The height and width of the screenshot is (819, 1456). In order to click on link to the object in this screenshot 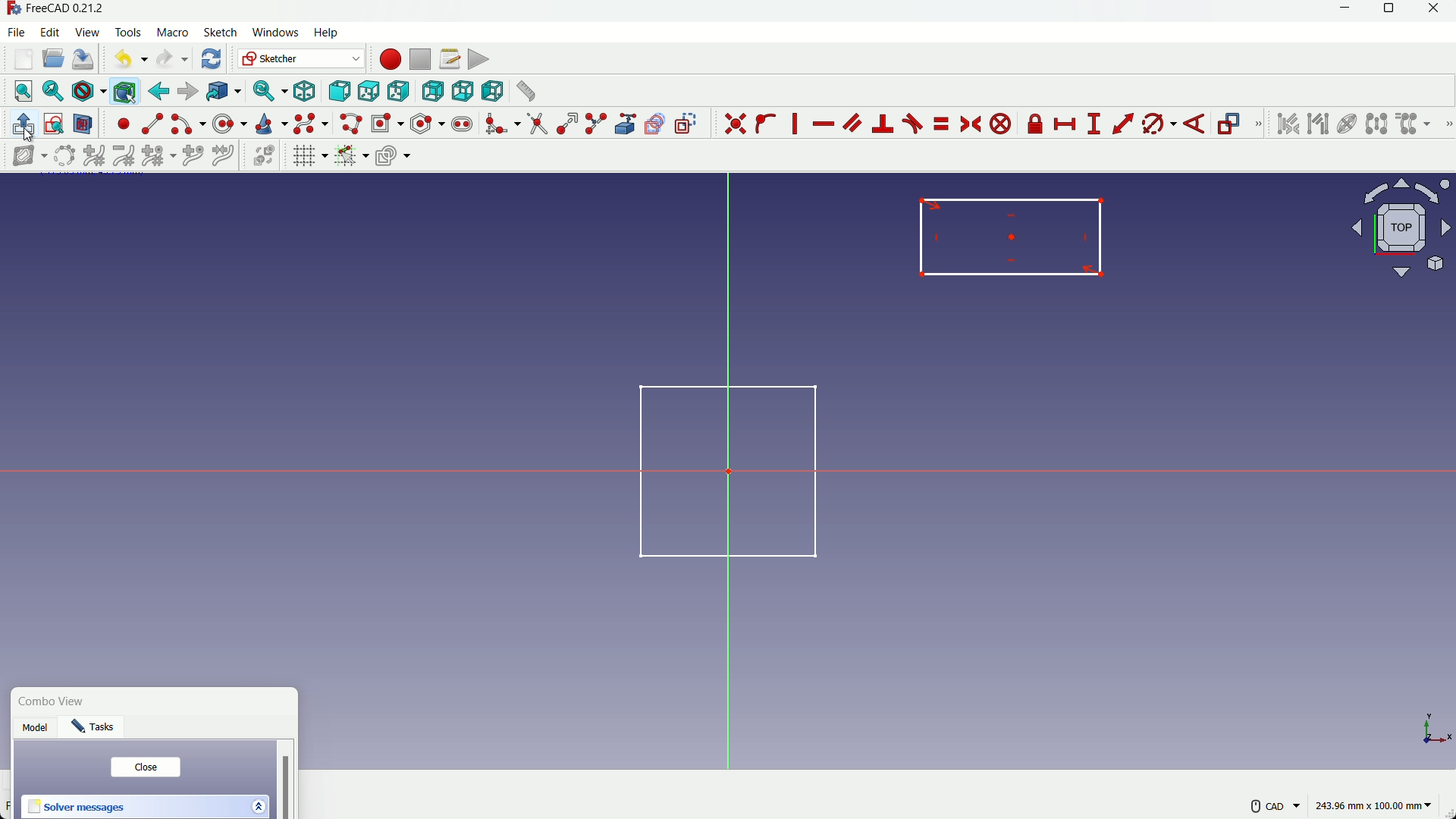, I will do `click(221, 93)`.